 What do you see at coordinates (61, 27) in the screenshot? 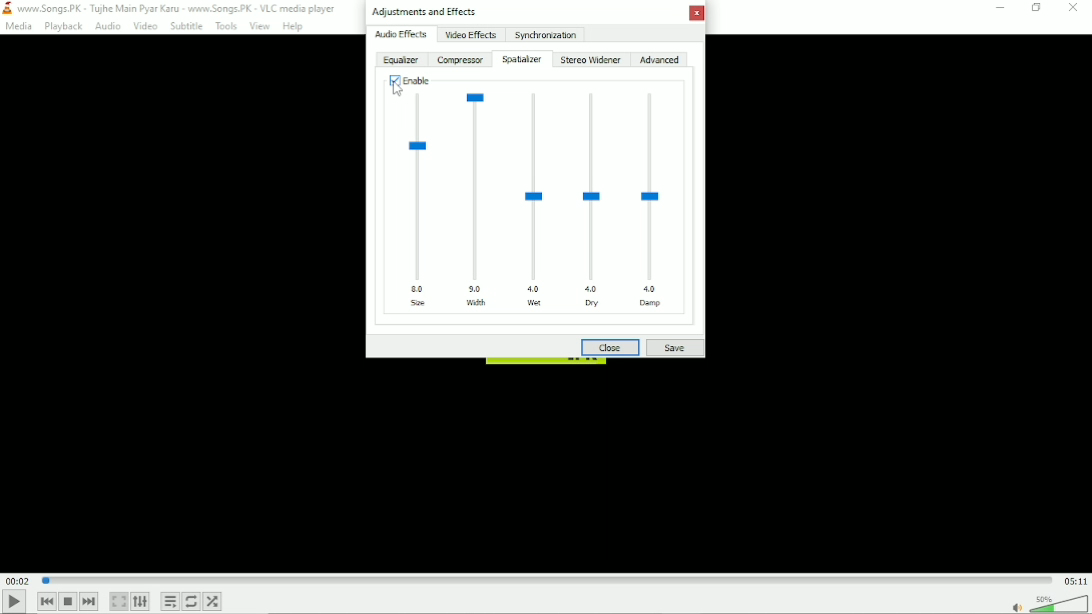
I see `Playback` at bounding box center [61, 27].